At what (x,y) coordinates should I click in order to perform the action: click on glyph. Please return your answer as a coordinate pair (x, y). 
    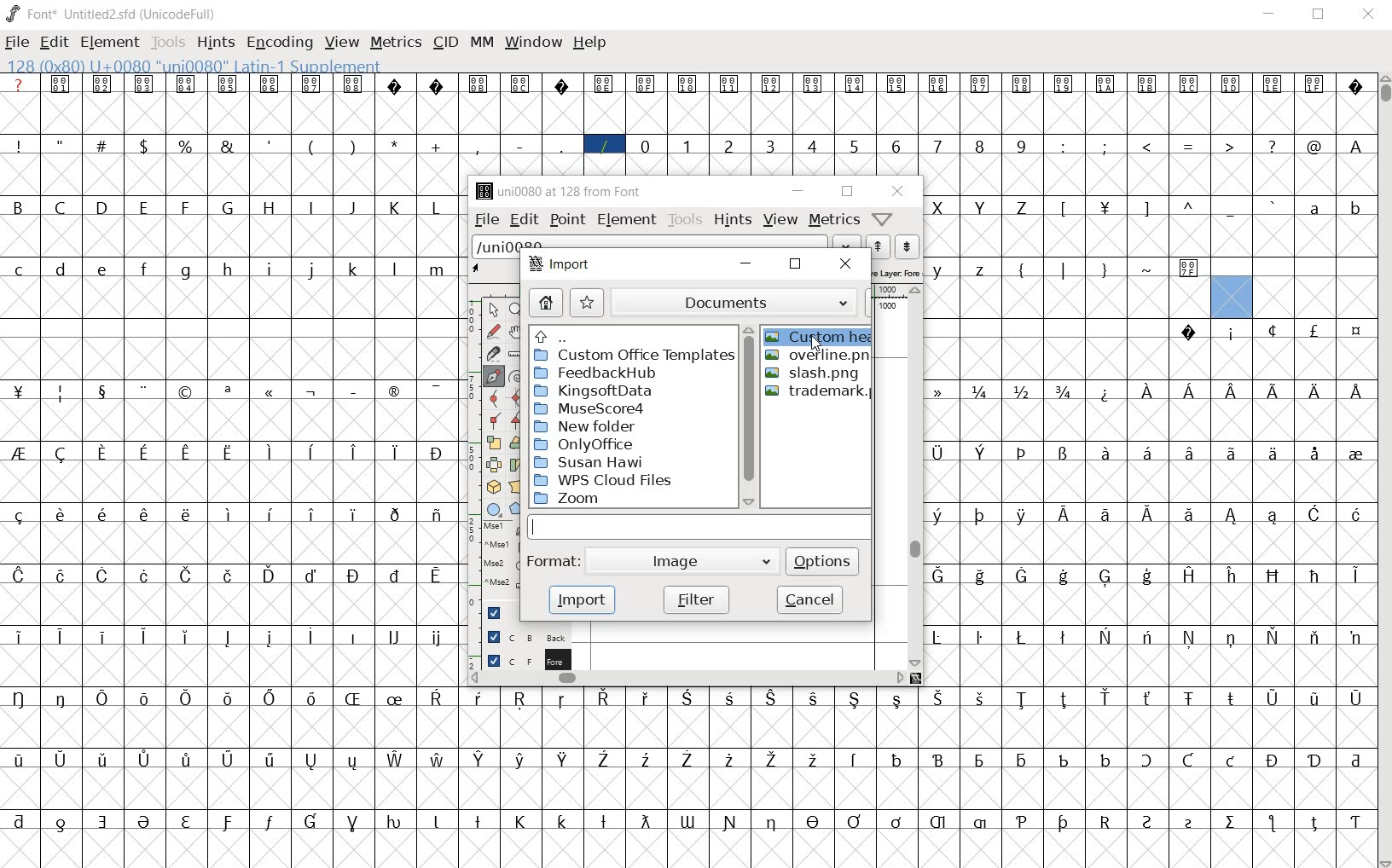
    Looking at the image, I should click on (1063, 700).